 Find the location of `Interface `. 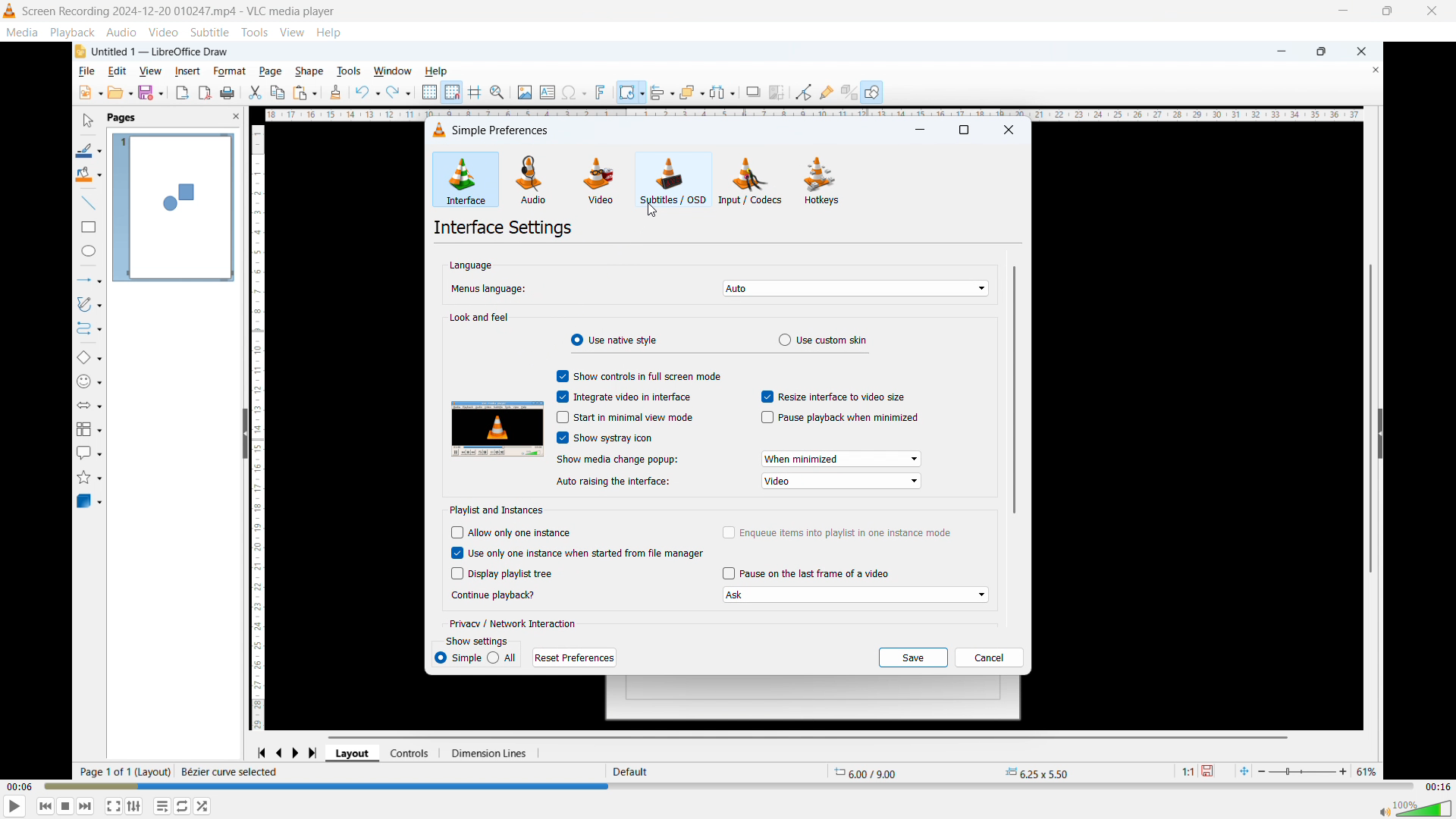

Interface  is located at coordinates (466, 180).